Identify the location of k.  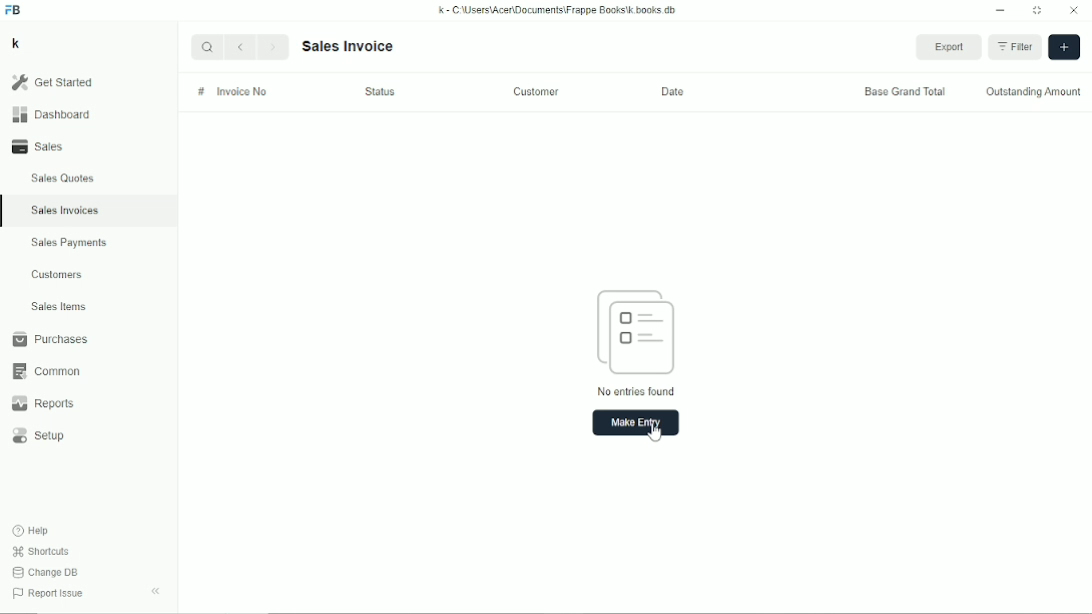
(15, 43).